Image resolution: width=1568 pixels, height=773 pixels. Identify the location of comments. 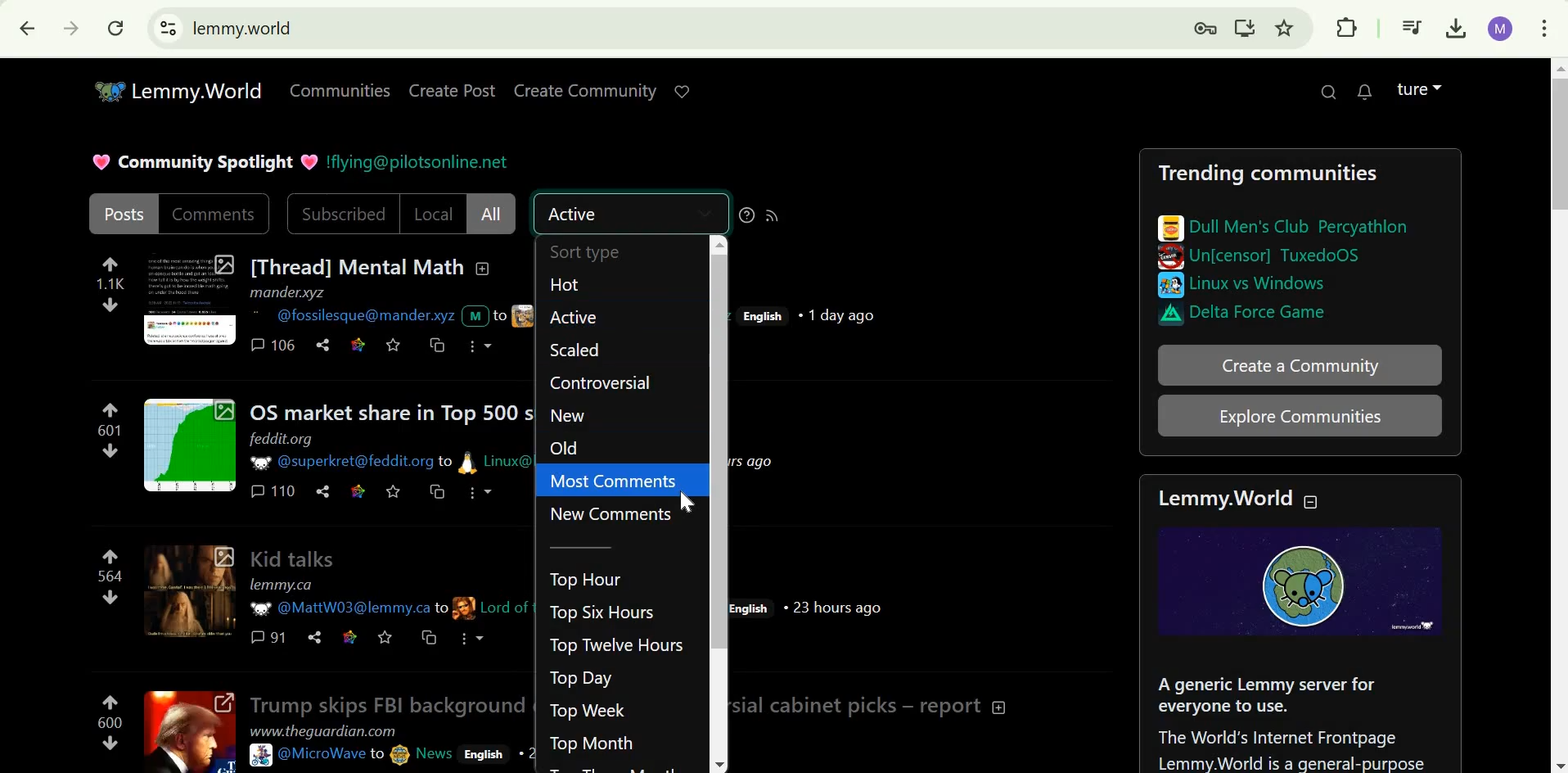
(272, 490).